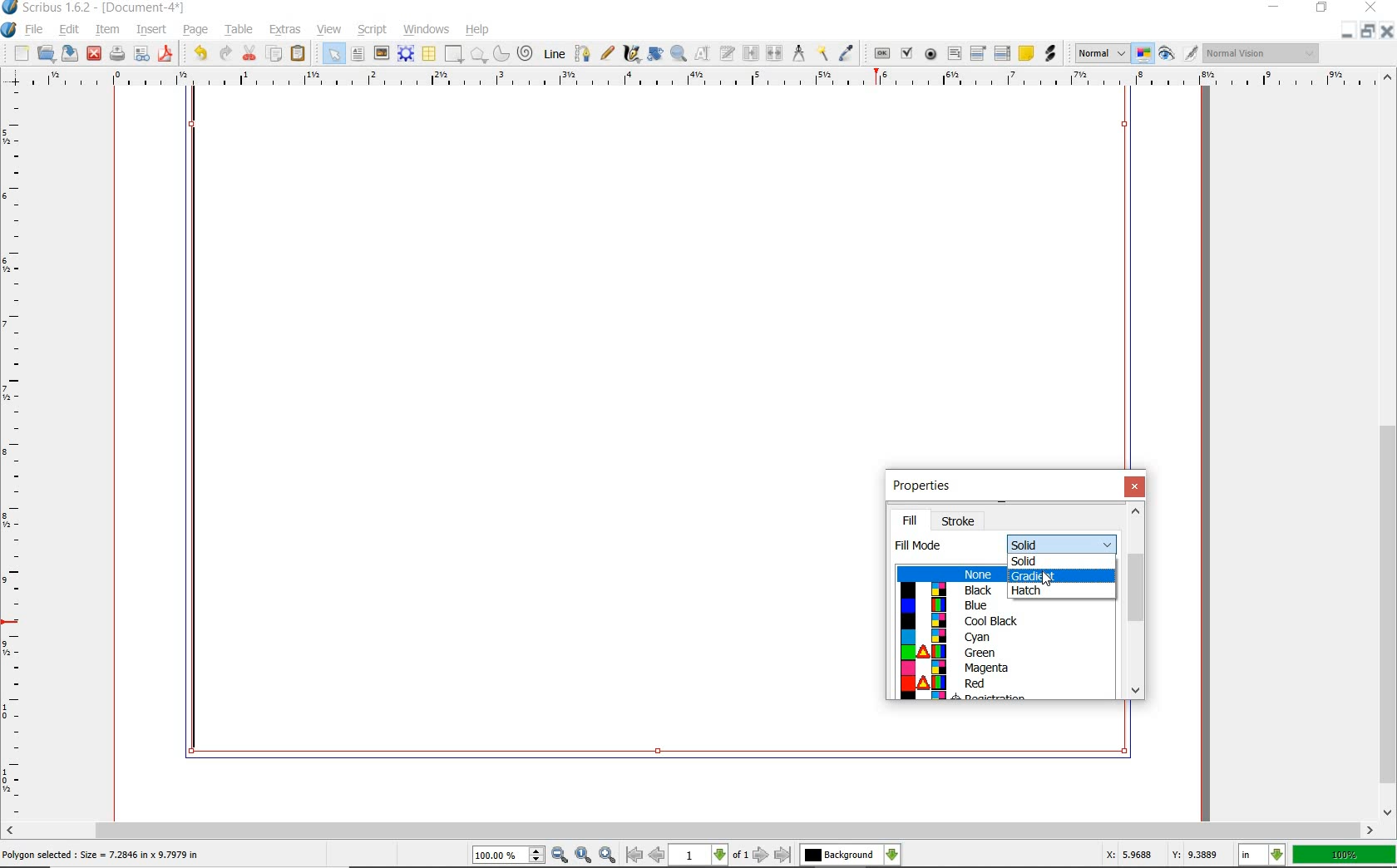 Image resolution: width=1397 pixels, height=868 pixels. What do you see at coordinates (198, 53) in the screenshot?
I see `undo` at bounding box center [198, 53].